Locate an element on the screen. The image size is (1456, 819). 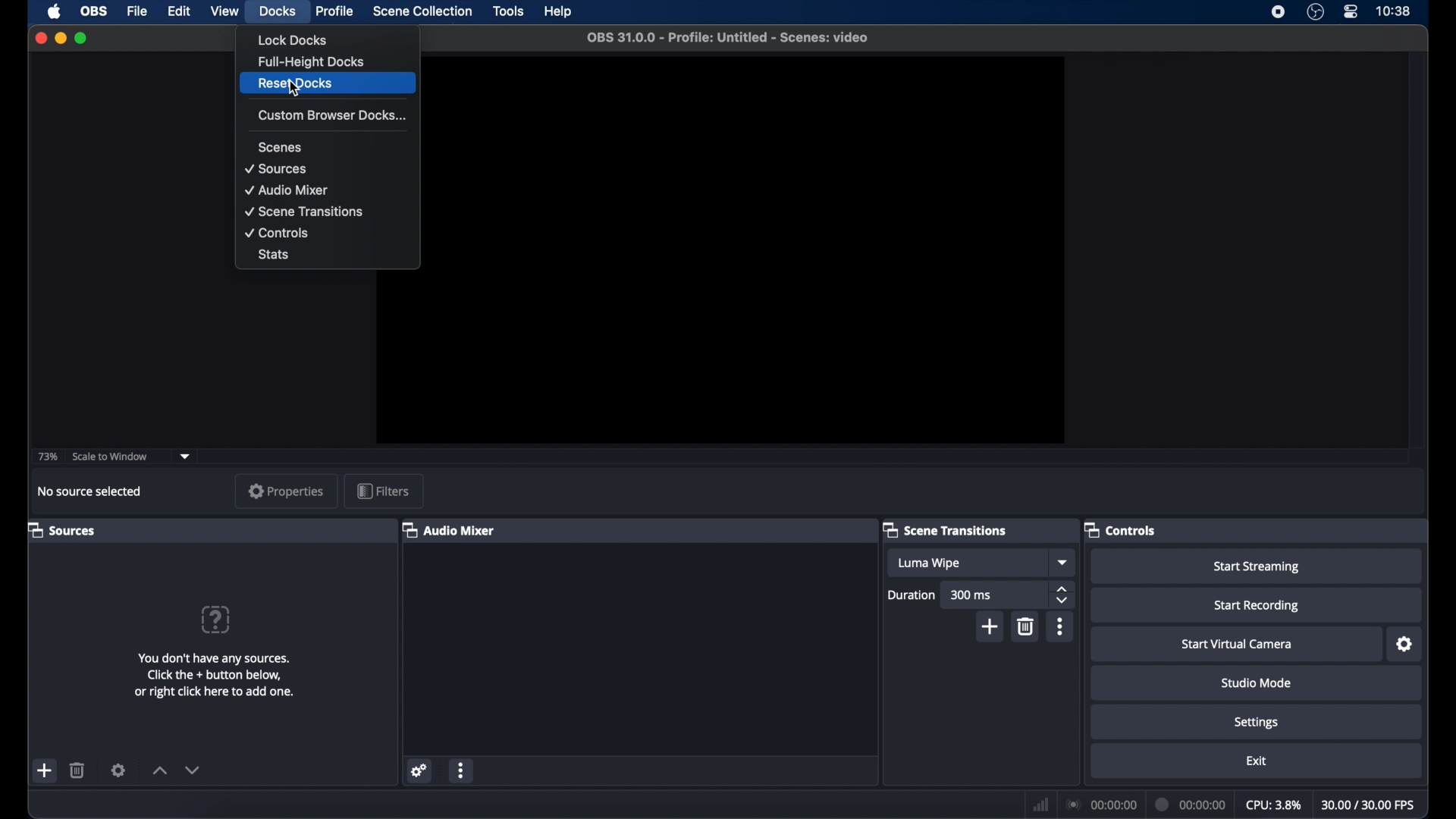
control center is located at coordinates (1350, 11).